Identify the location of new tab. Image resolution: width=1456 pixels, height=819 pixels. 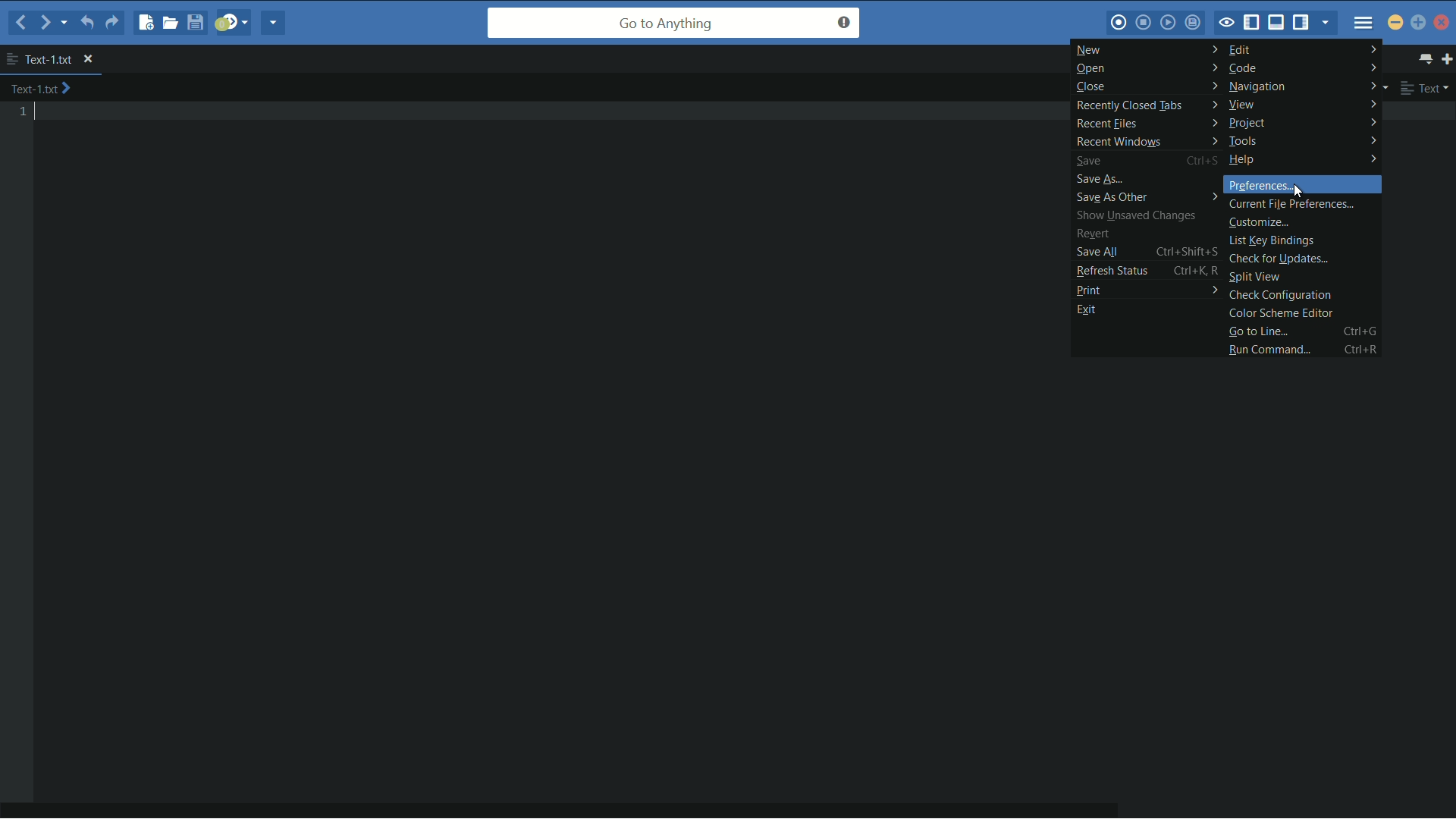
(1447, 58).